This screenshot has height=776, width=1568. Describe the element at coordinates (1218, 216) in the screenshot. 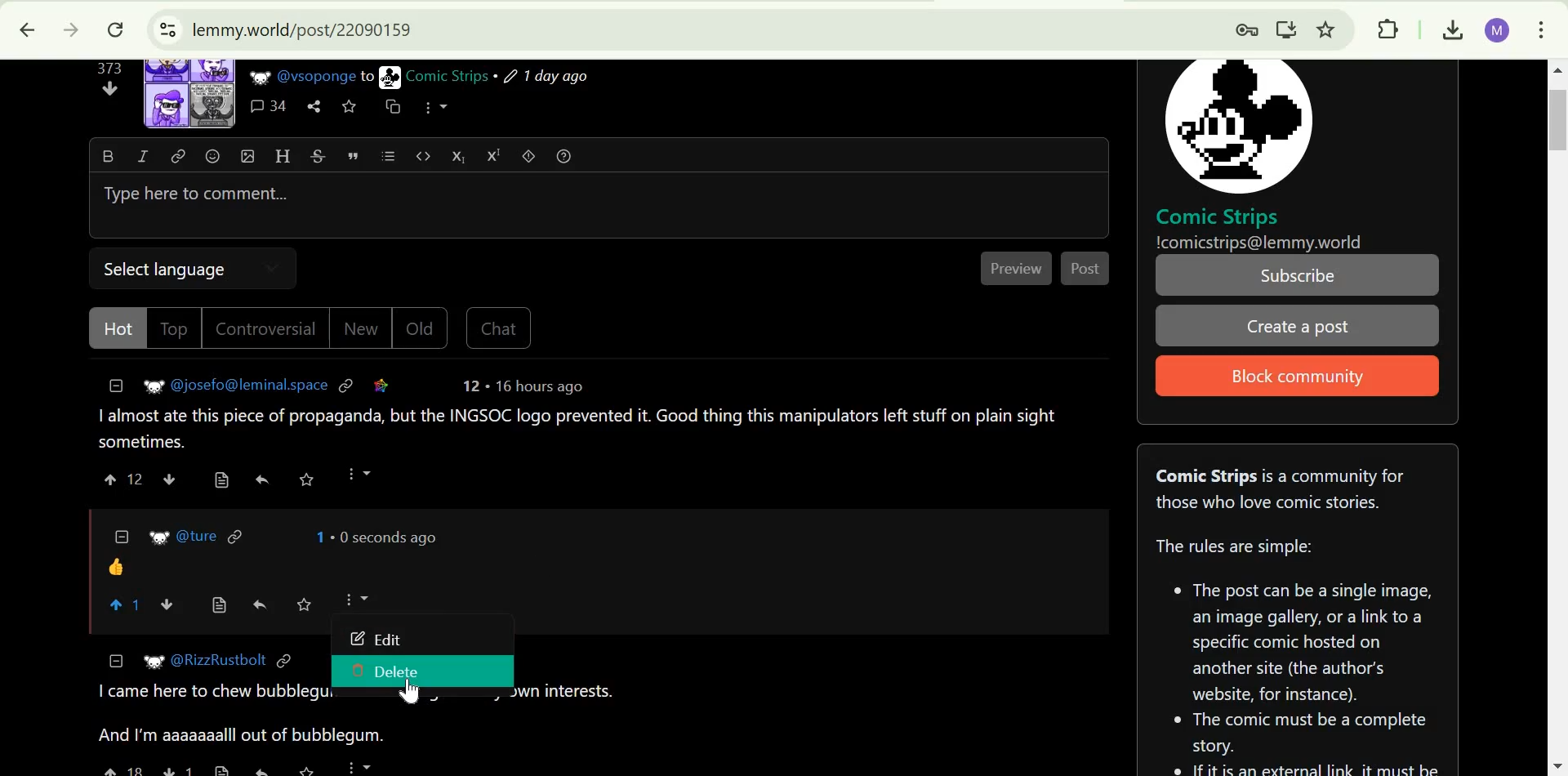

I see `Comic Strips` at that location.